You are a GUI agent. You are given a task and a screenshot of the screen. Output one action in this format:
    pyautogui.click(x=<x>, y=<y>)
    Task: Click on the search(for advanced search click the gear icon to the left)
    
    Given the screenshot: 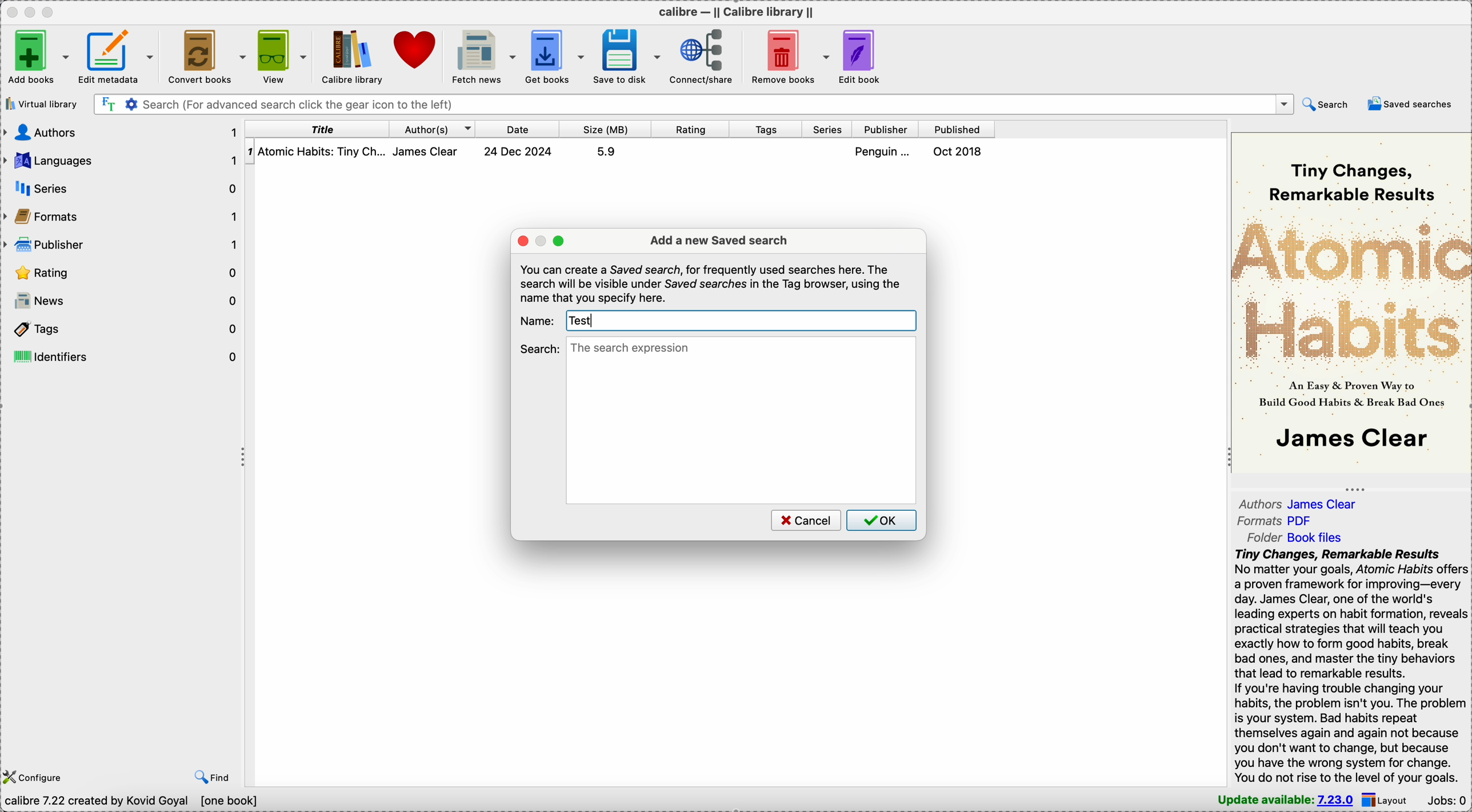 What is the action you would take?
    pyautogui.click(x=693, y=103)
    